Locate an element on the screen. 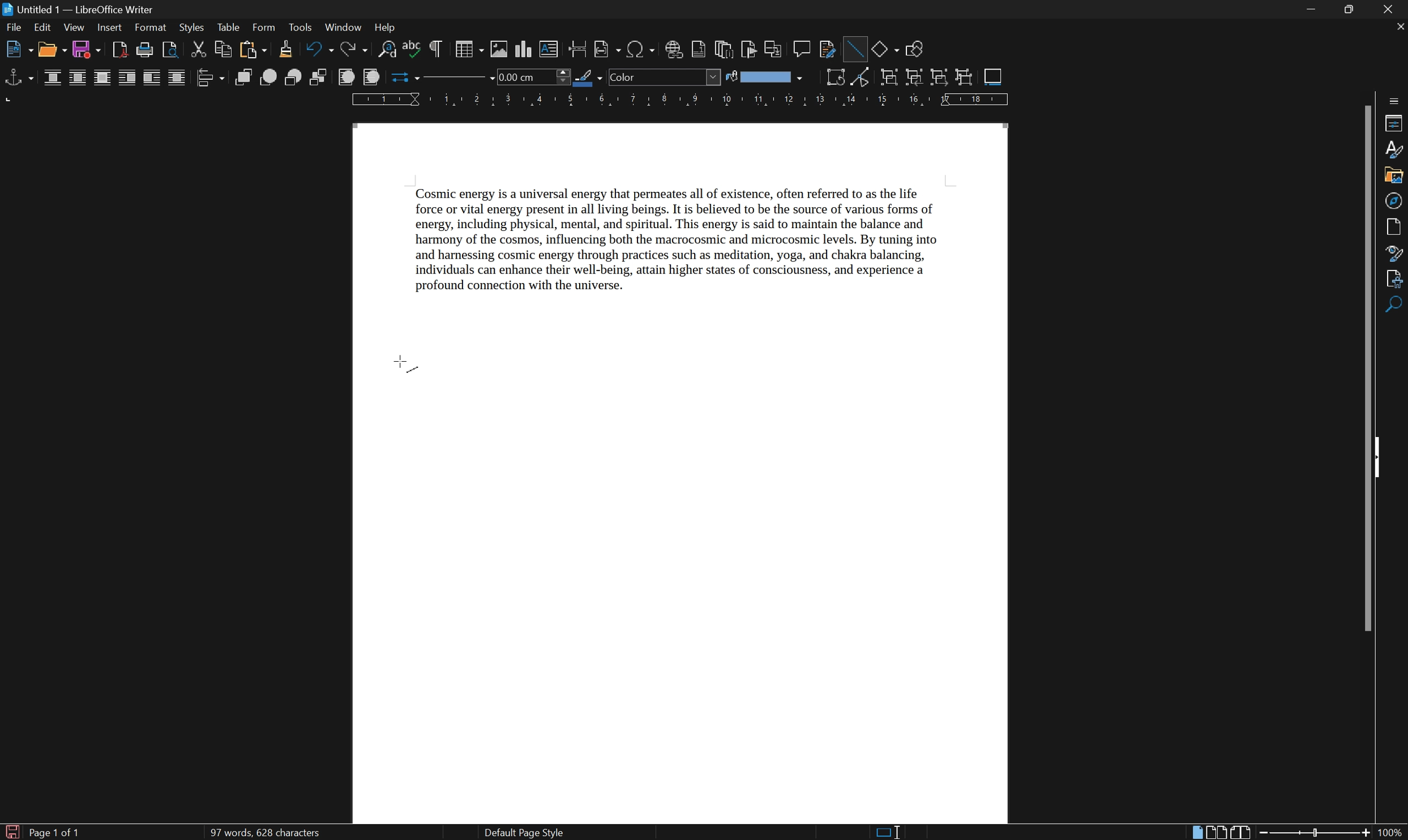  insert footnote is located at coordinates (698, 50).